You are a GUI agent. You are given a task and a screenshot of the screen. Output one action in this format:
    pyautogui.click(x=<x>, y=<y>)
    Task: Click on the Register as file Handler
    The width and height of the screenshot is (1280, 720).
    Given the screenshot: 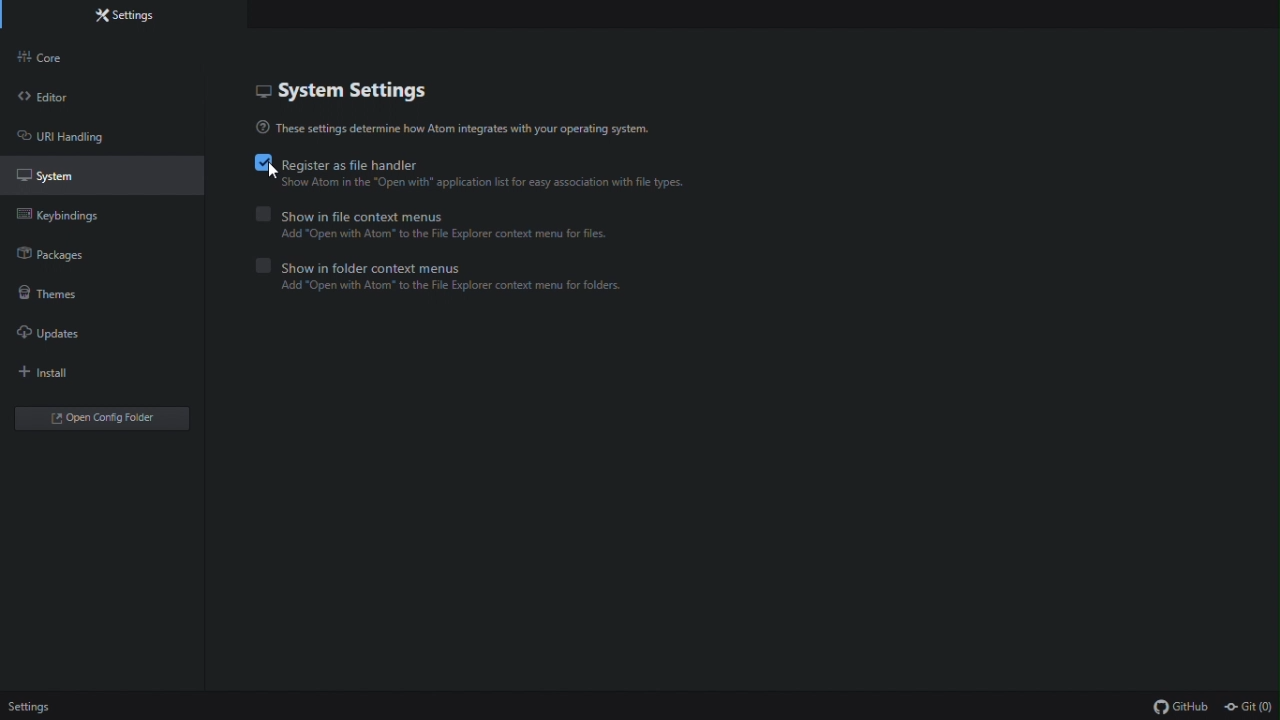 What is the action you would take?
    pyautogui.click(x=475, y=164)
    